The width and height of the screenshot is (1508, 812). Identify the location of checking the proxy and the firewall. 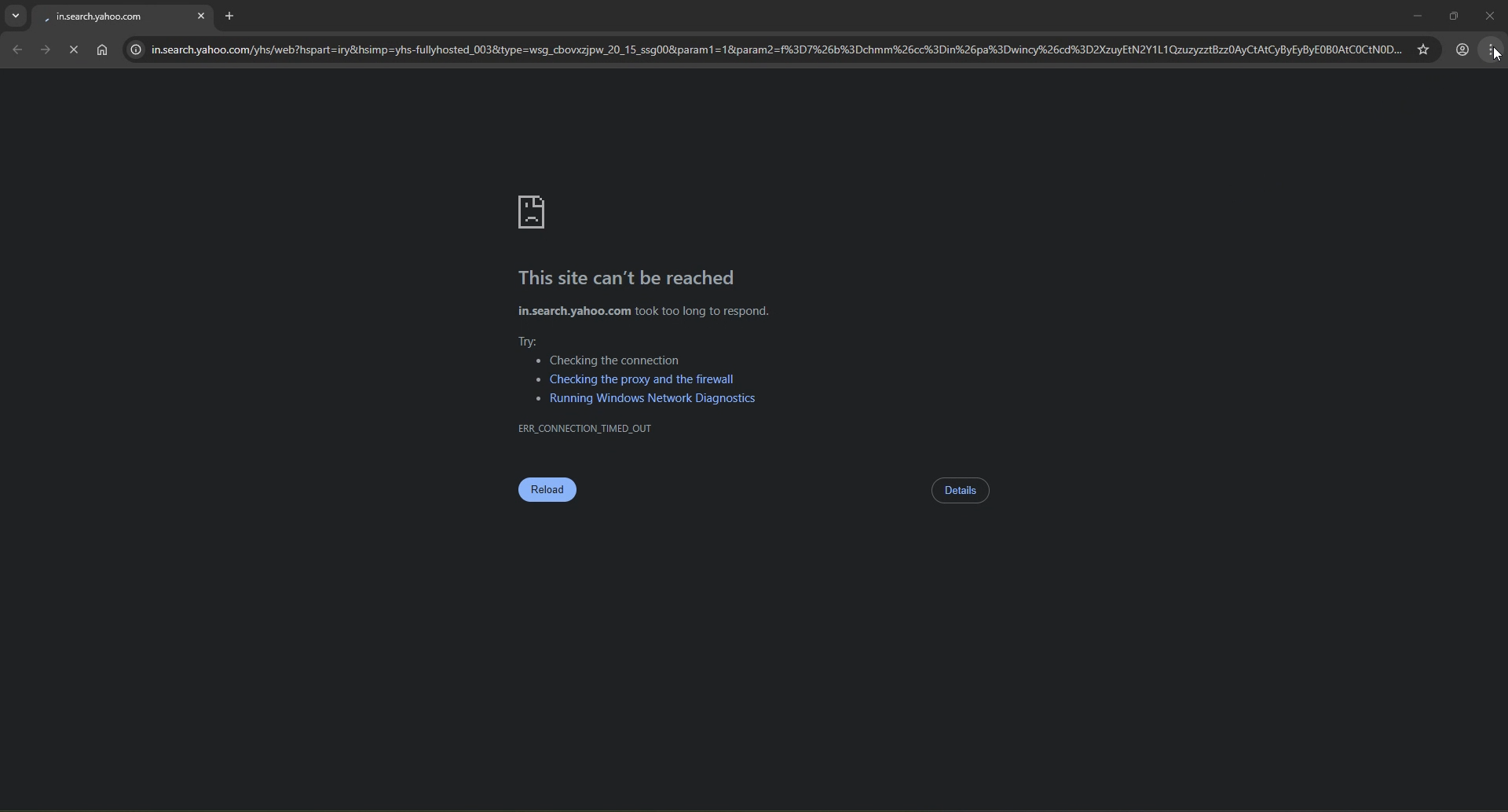
(635, 379).